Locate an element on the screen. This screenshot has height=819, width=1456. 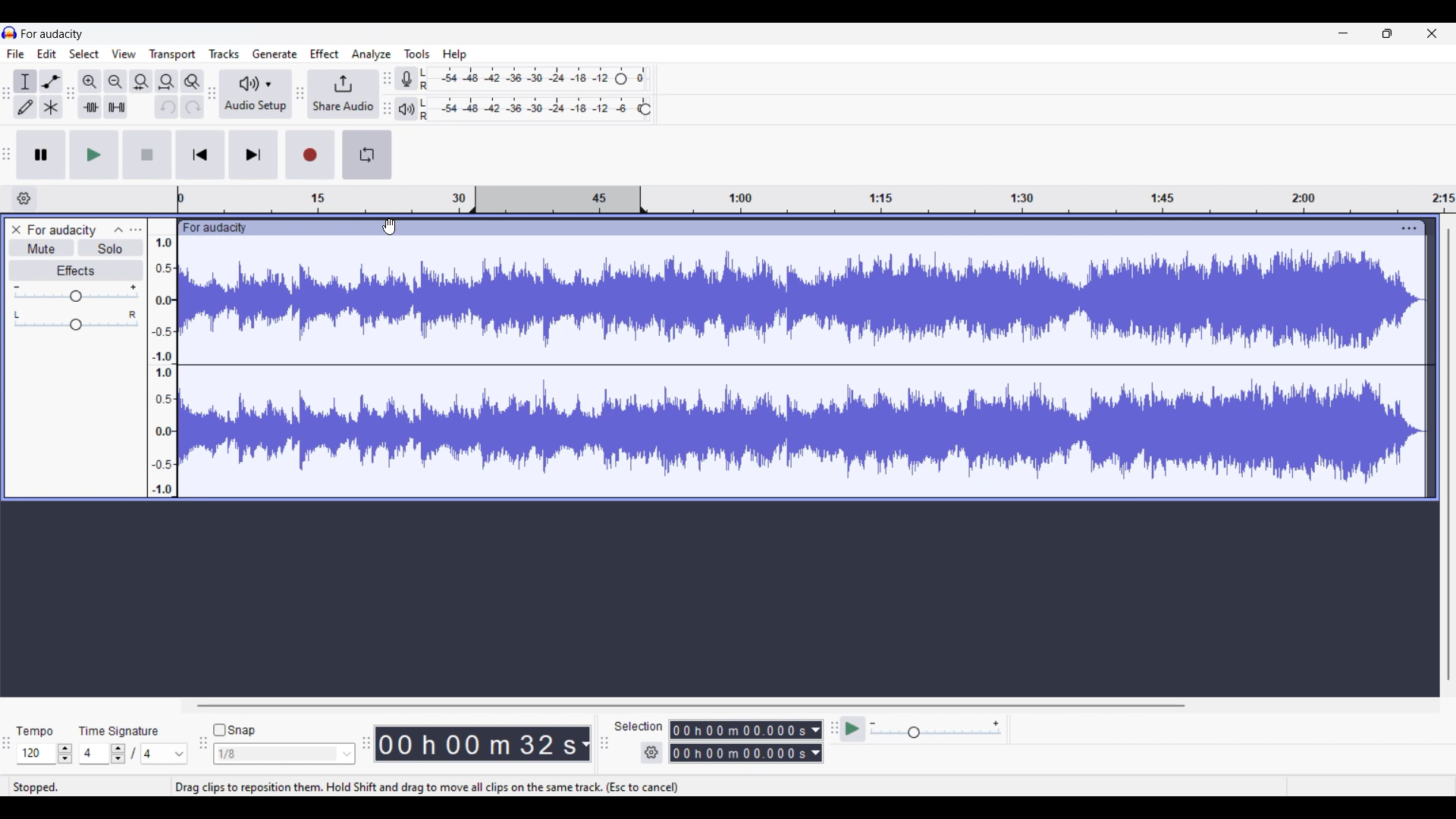
Project name - For audacity is located at coordinates (62, 230).